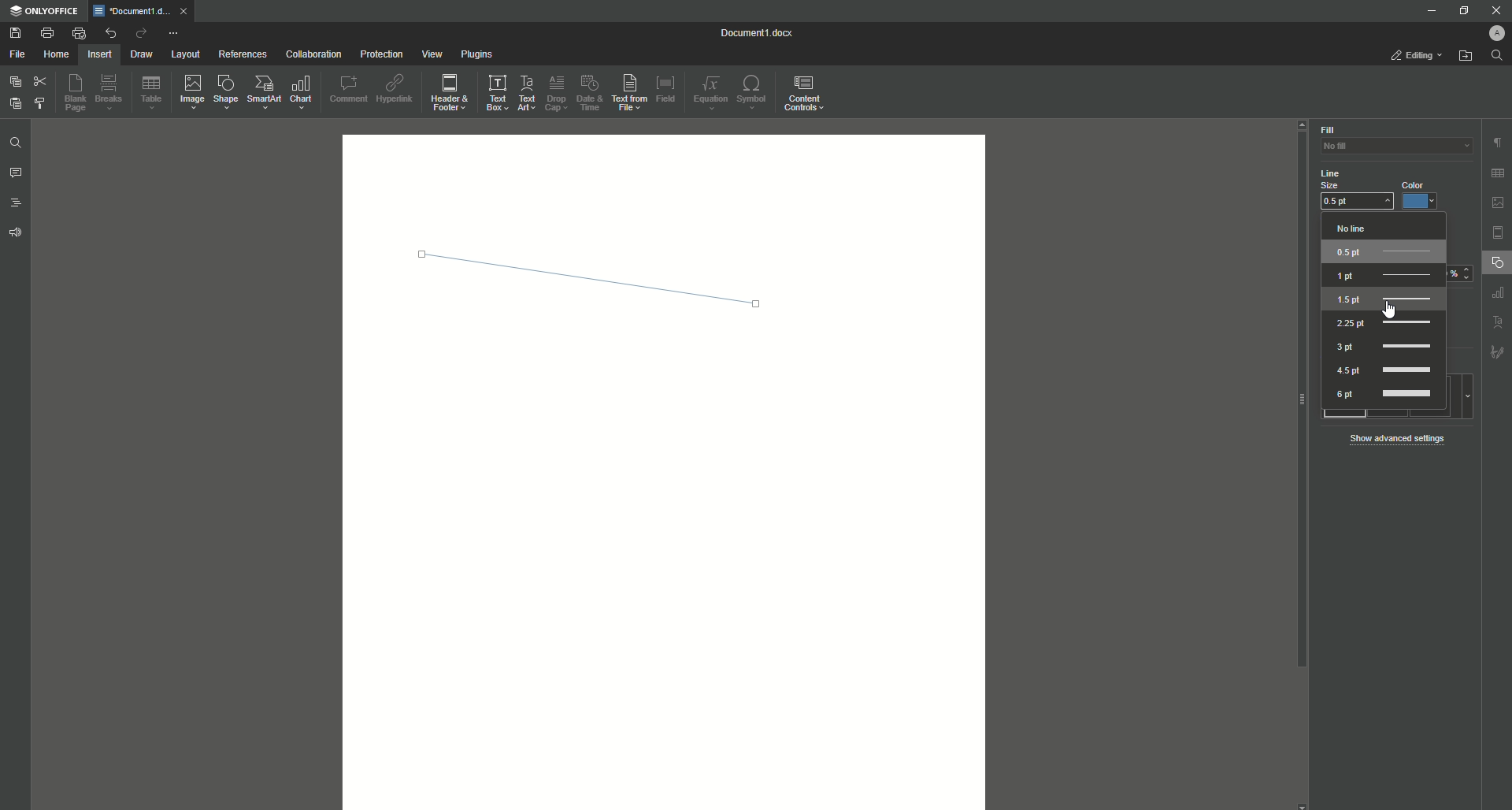  Describe the element at coordinates (39, 81) in the screenshot. I see `Cut` at that location.